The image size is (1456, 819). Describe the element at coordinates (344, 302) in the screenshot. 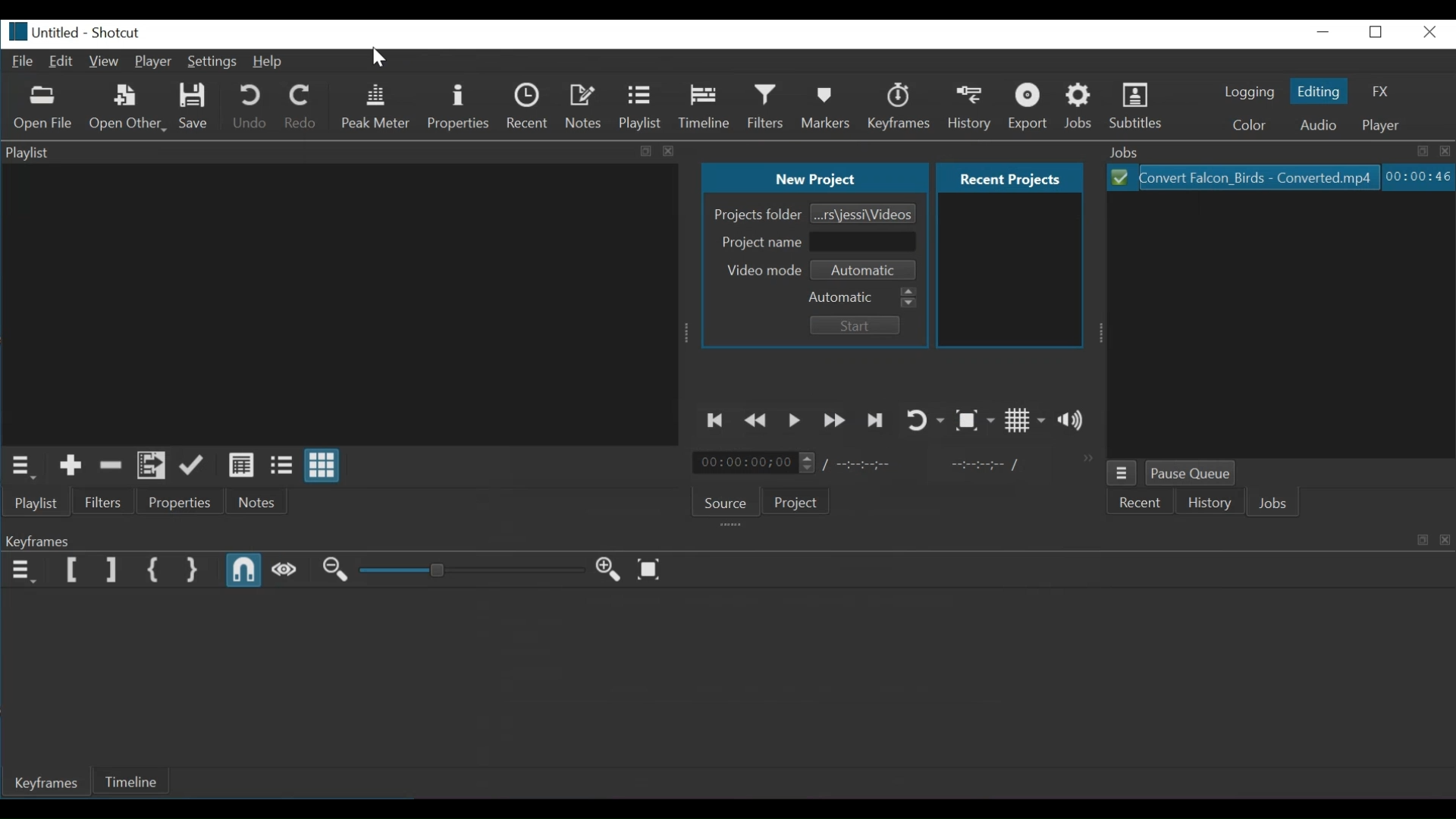

I see `Playlist Panel` at that location.